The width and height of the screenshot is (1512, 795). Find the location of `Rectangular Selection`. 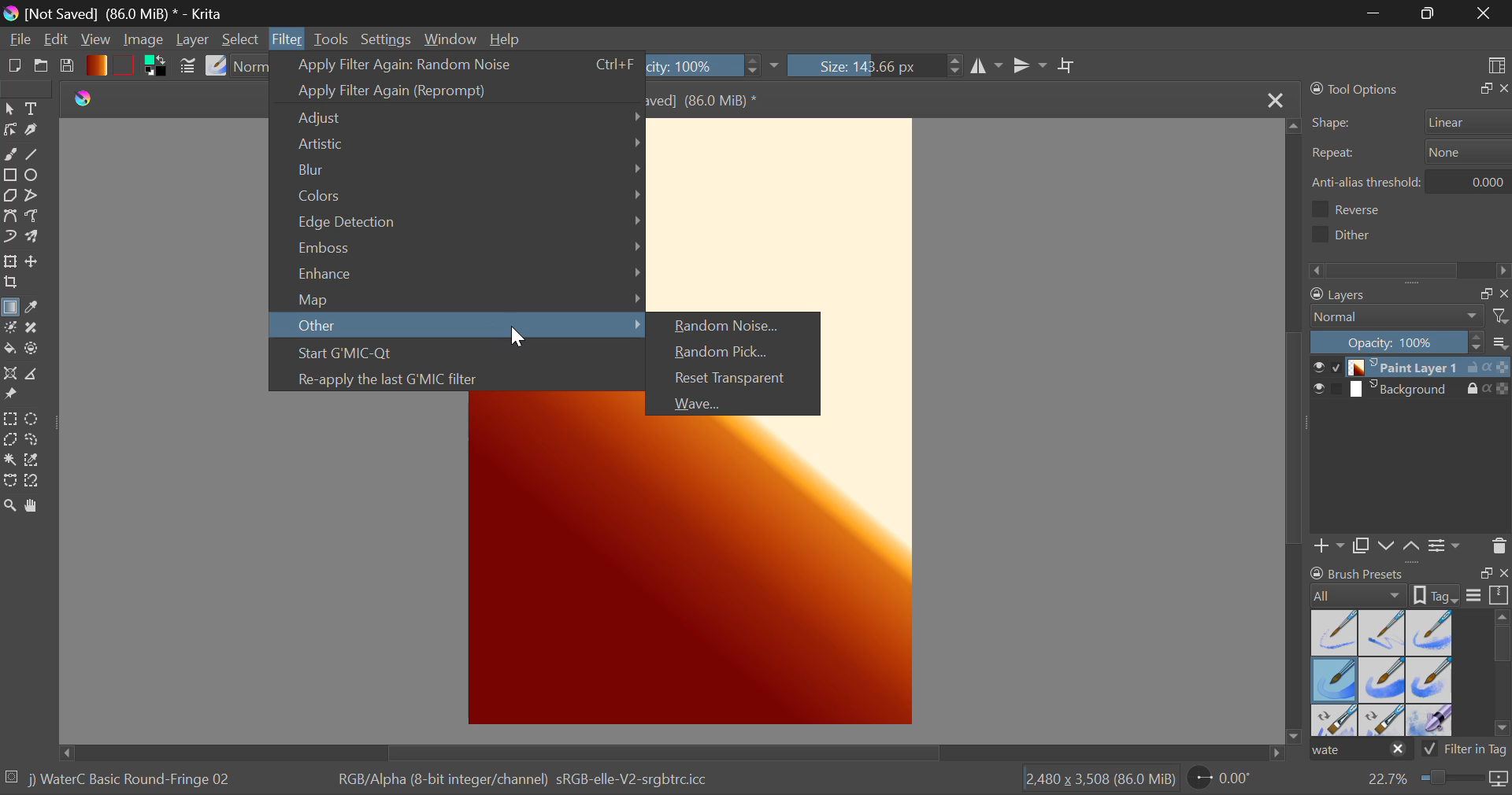

Rectangular Selection is located at coordinates (9, 420).